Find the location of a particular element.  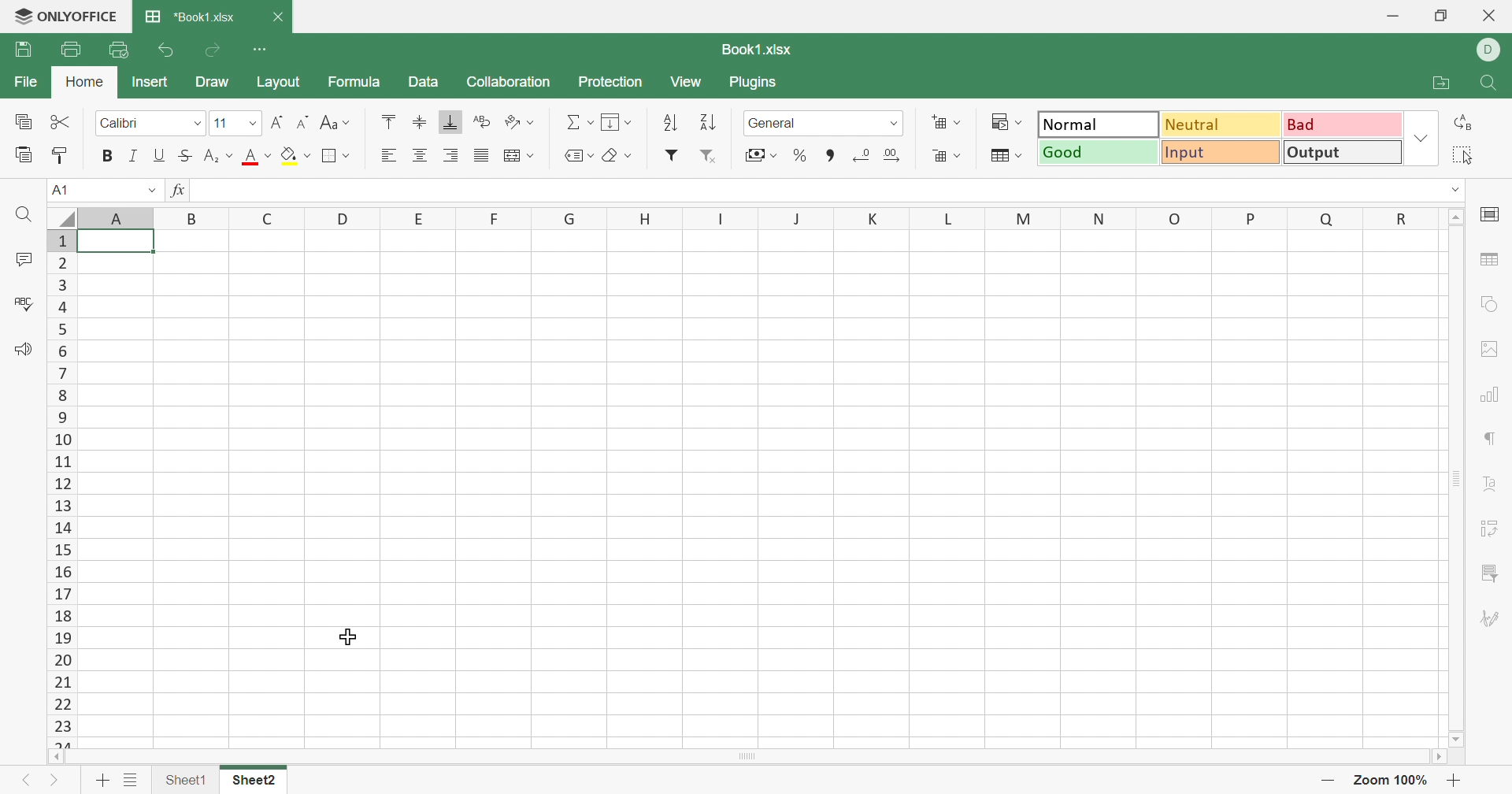

L is located at coordinates (951, 219).